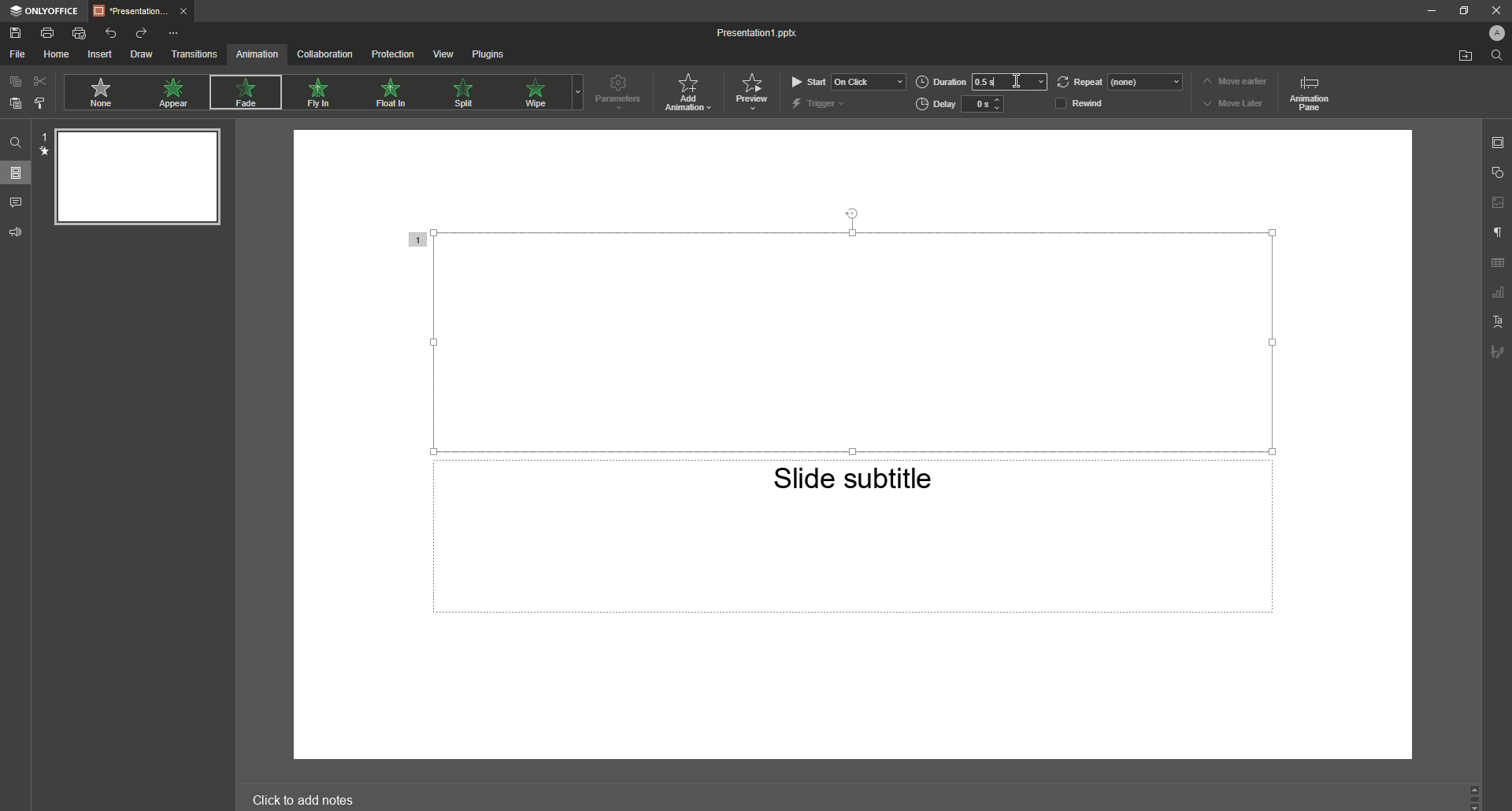 This screenshot has height=811, width=1512. I want to click on Find, so click(1497, 54).